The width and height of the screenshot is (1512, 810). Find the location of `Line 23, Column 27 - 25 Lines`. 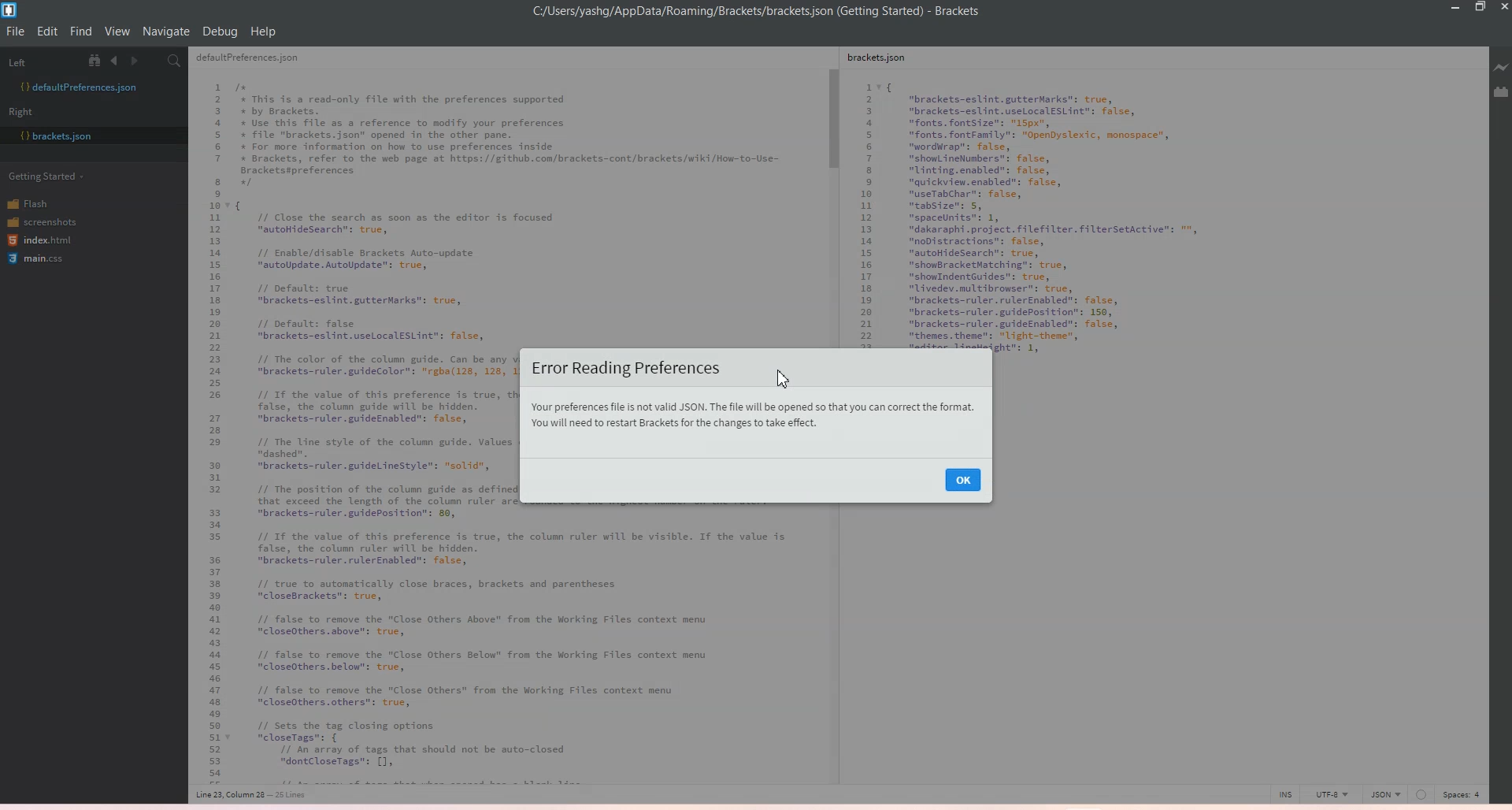

Line 23, Column 27 - 25 Lines is located at coordinates (257, 795).